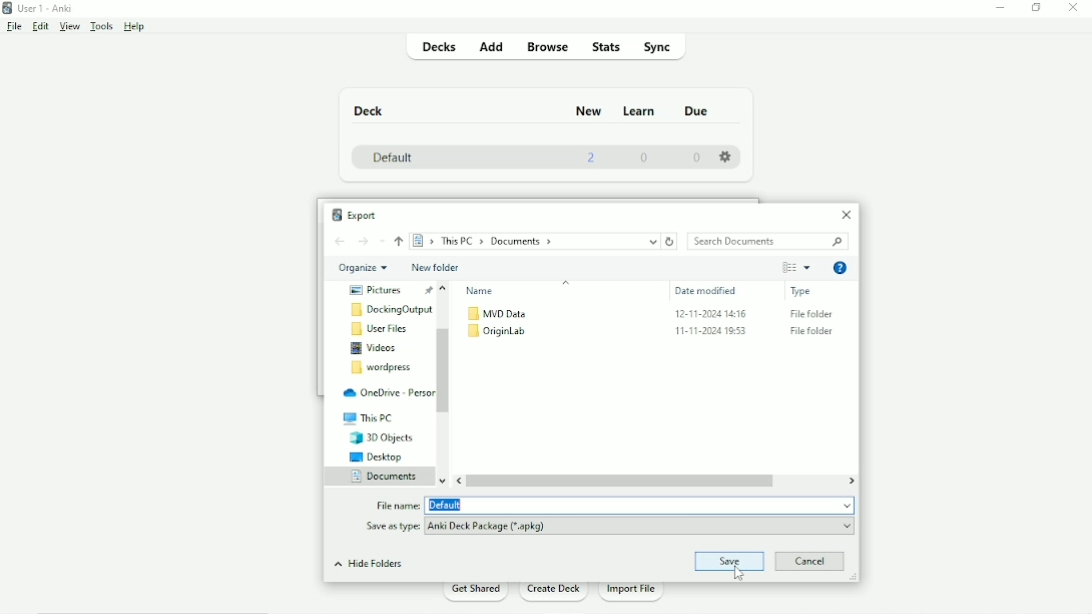 Image resolution: width=1092 pixels, height=614 pixels. I want to click on User Files, so click(382, 327).